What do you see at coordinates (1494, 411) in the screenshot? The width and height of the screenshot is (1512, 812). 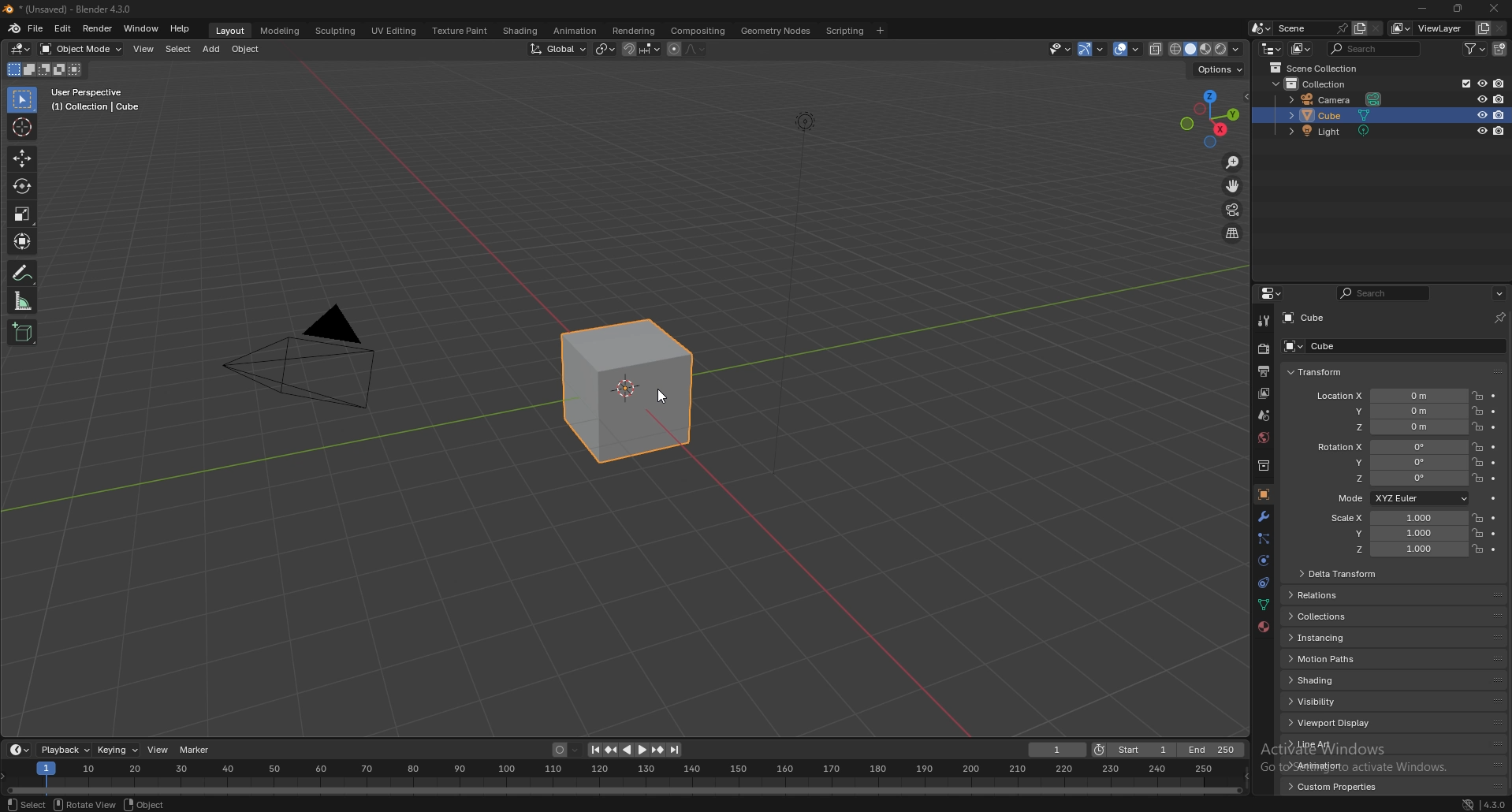 I see `animate property` at bounding box center [1494, 411].